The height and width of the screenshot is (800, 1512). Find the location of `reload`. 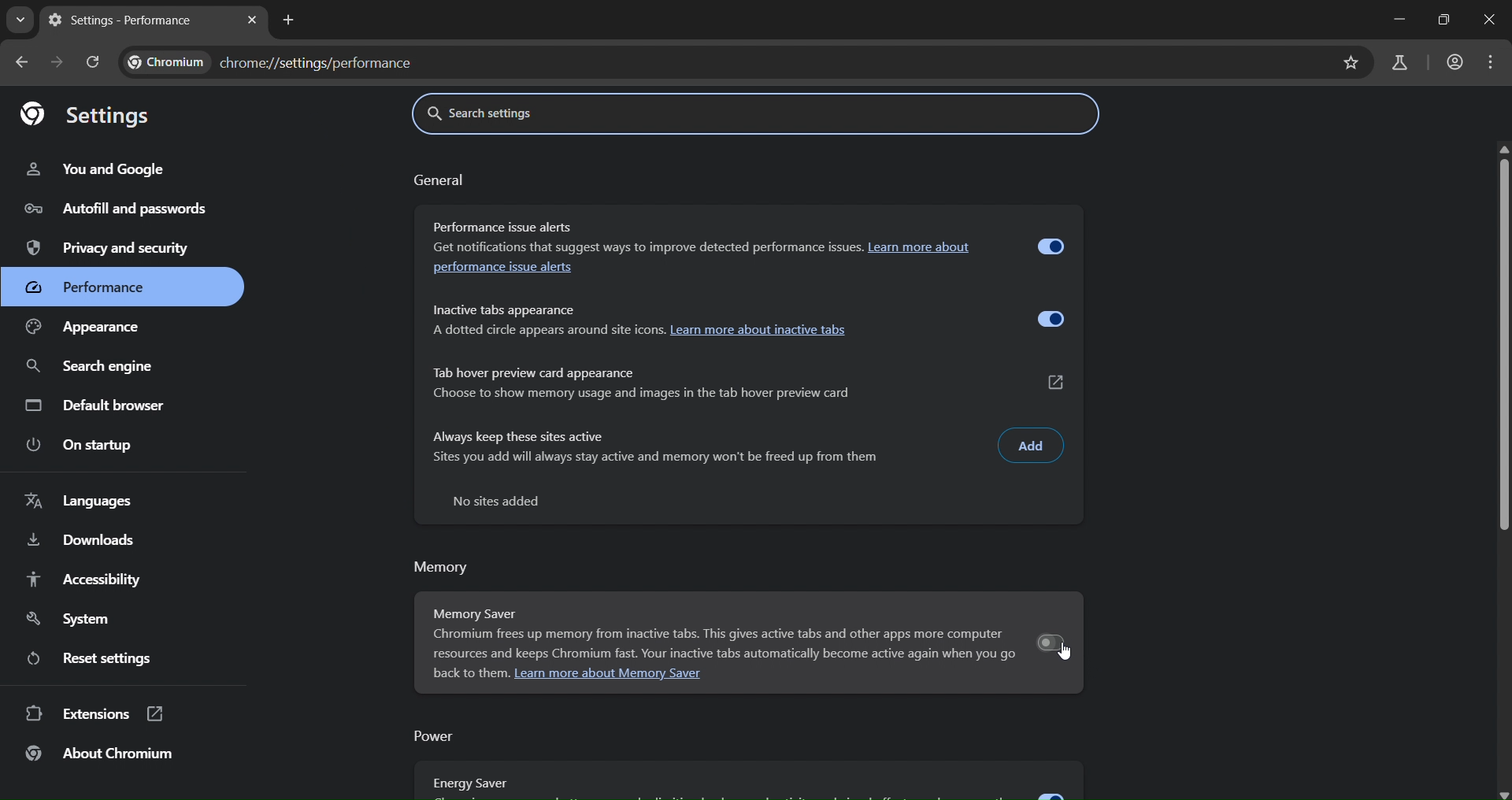

reload is located at coordinates (98, 64).